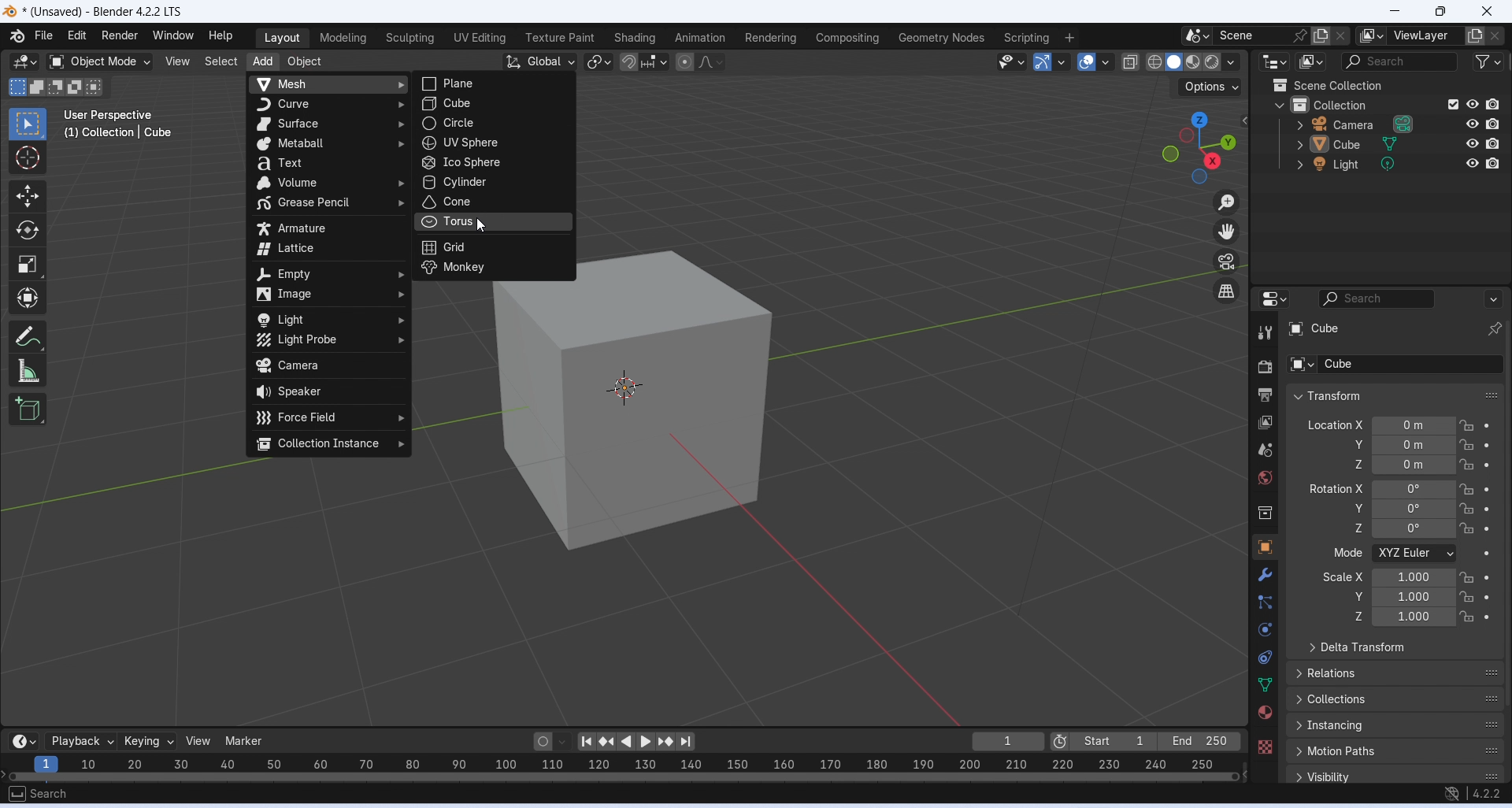 The height and width of the screenshot is (808, 1512). Describe the element at coordinates (1358, 527) in the screenshot. I see `Rotation Z axis` at that location.